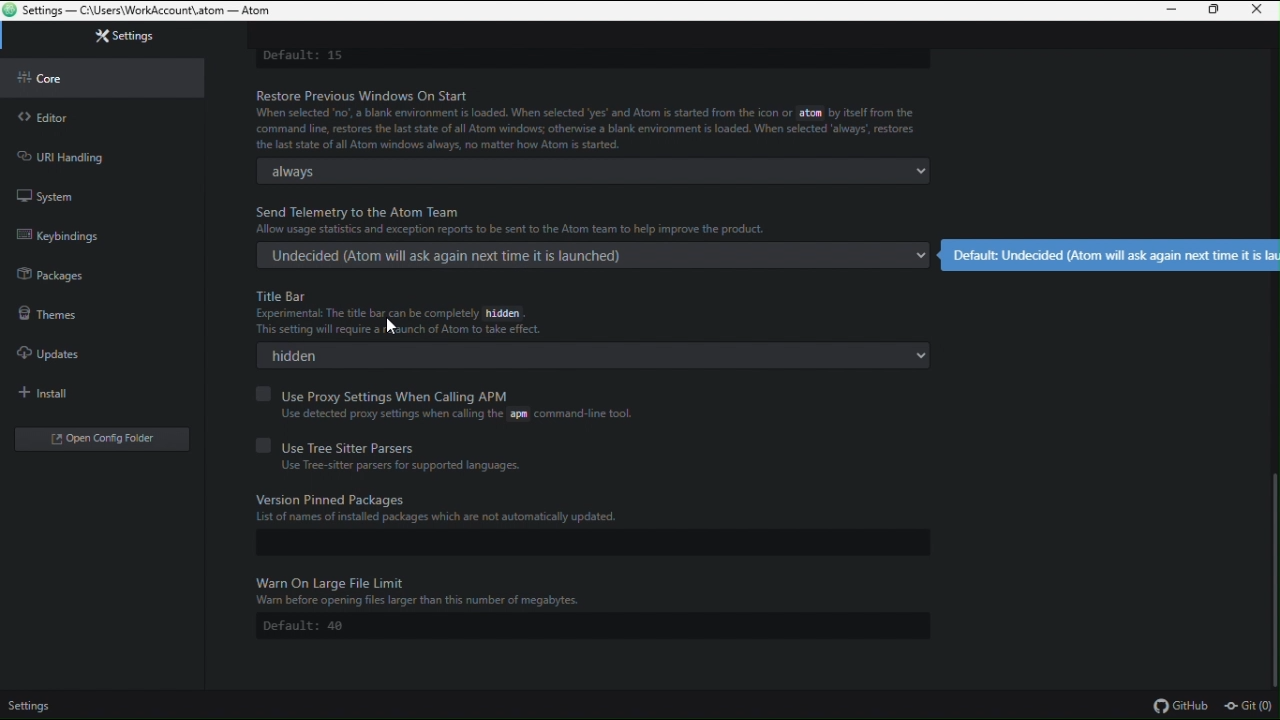 The height and width of the screenshot is (720, 1280). What do you see at coordinates (93, 436) in the screenshot?
I see `open configeditor` at bounding box center [93, 436].